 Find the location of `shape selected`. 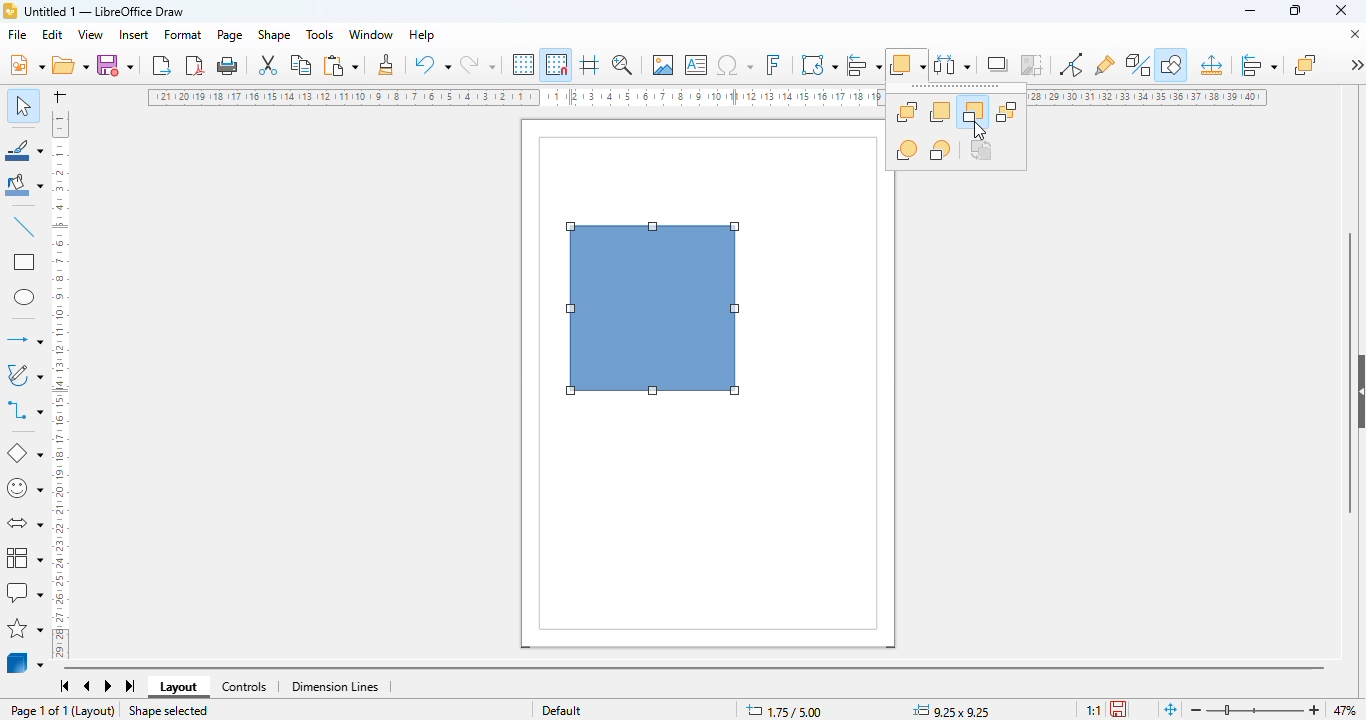

shape selected is located at coordinates (167, 711).